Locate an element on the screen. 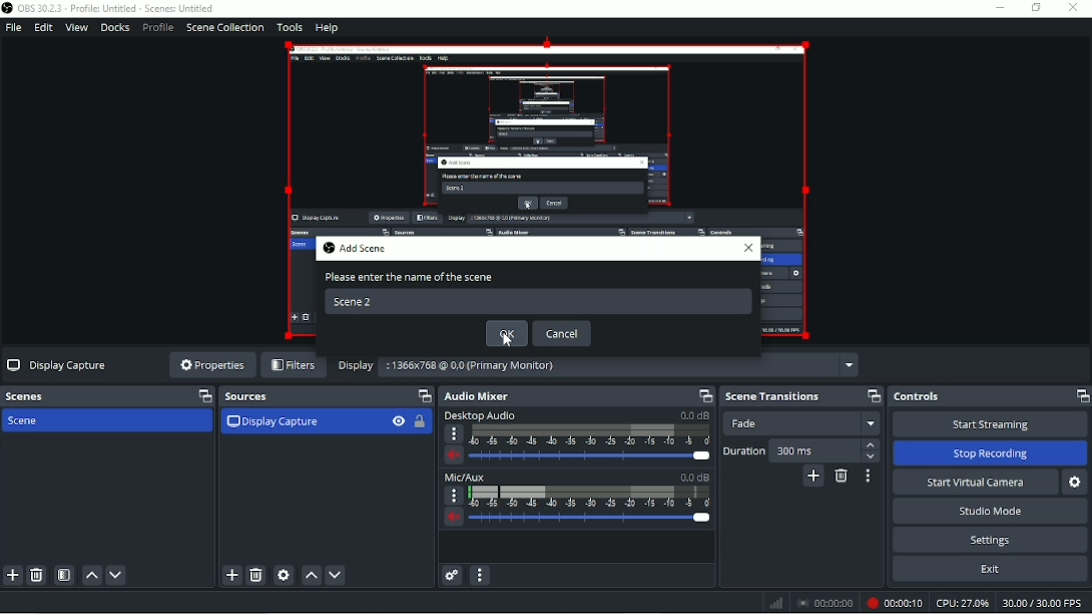 The image size is (1092, 614). Open scene filters is located at coordinates (65, 576).